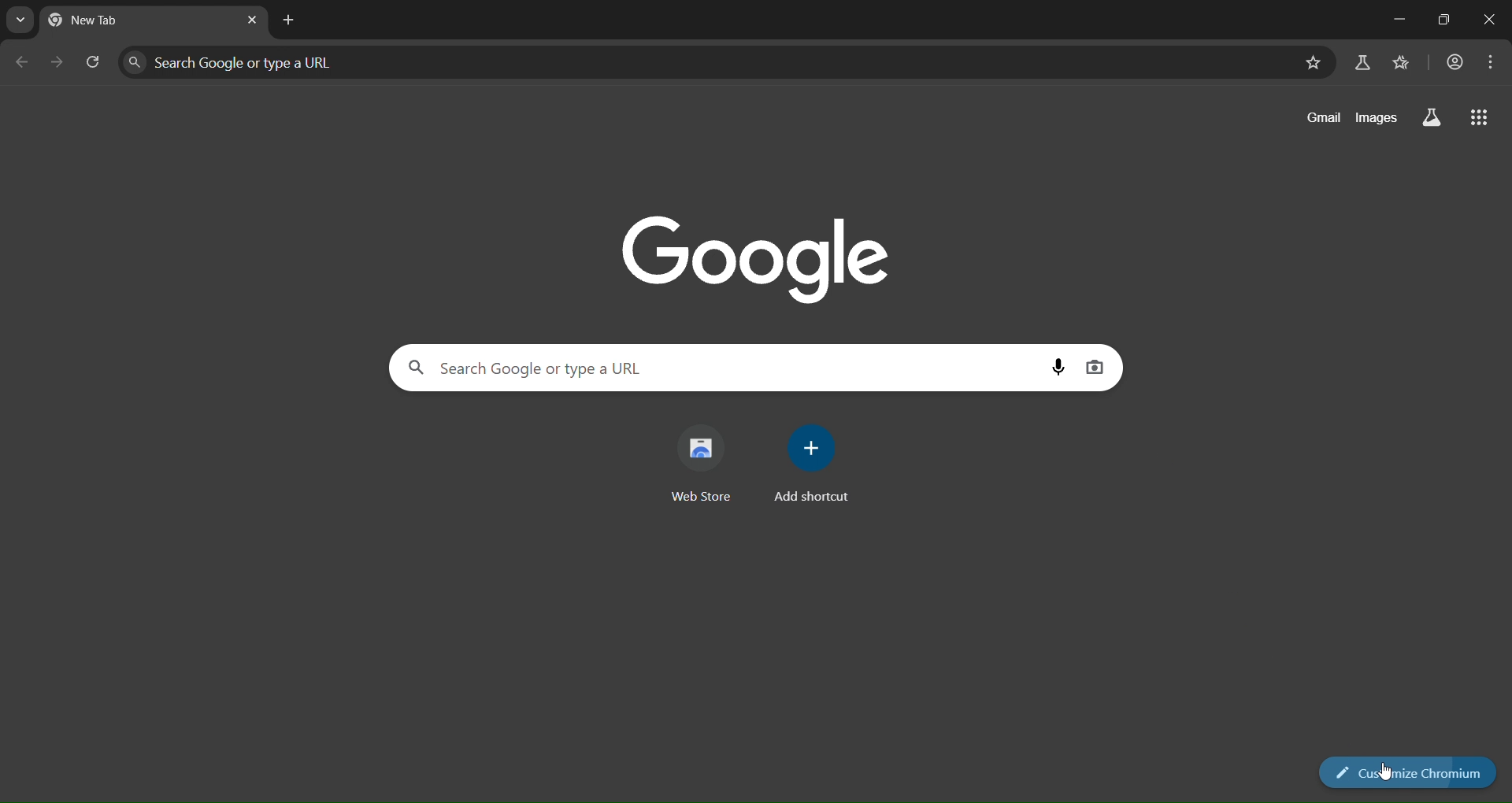  What do you see at coordinates (1482, 120) in the screenshot?
I see `google apps` at bounding box center [1482, 120].